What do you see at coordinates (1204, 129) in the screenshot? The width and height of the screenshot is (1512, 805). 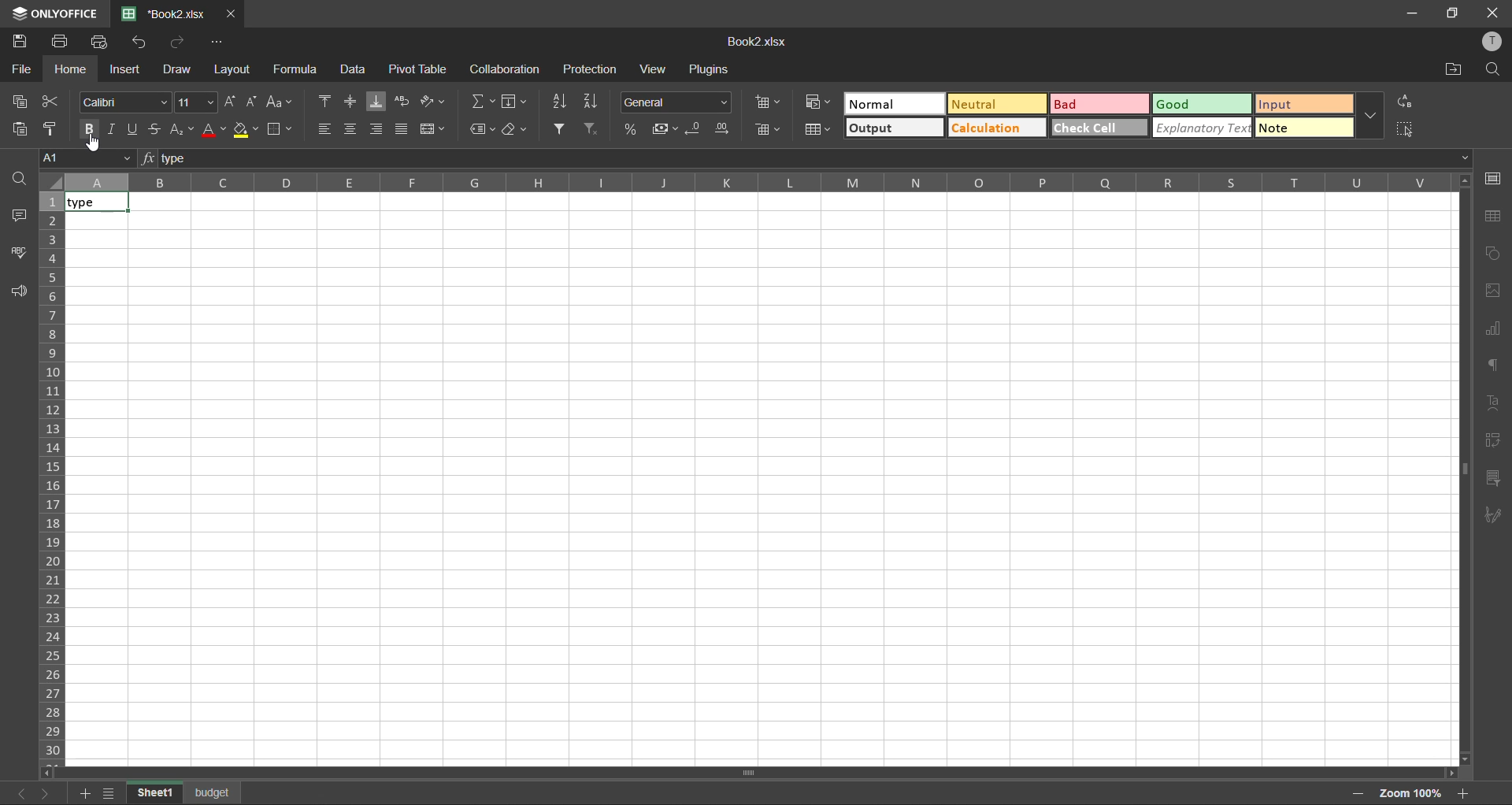 I see `explanatory text` at bounding box center [1204, 129].